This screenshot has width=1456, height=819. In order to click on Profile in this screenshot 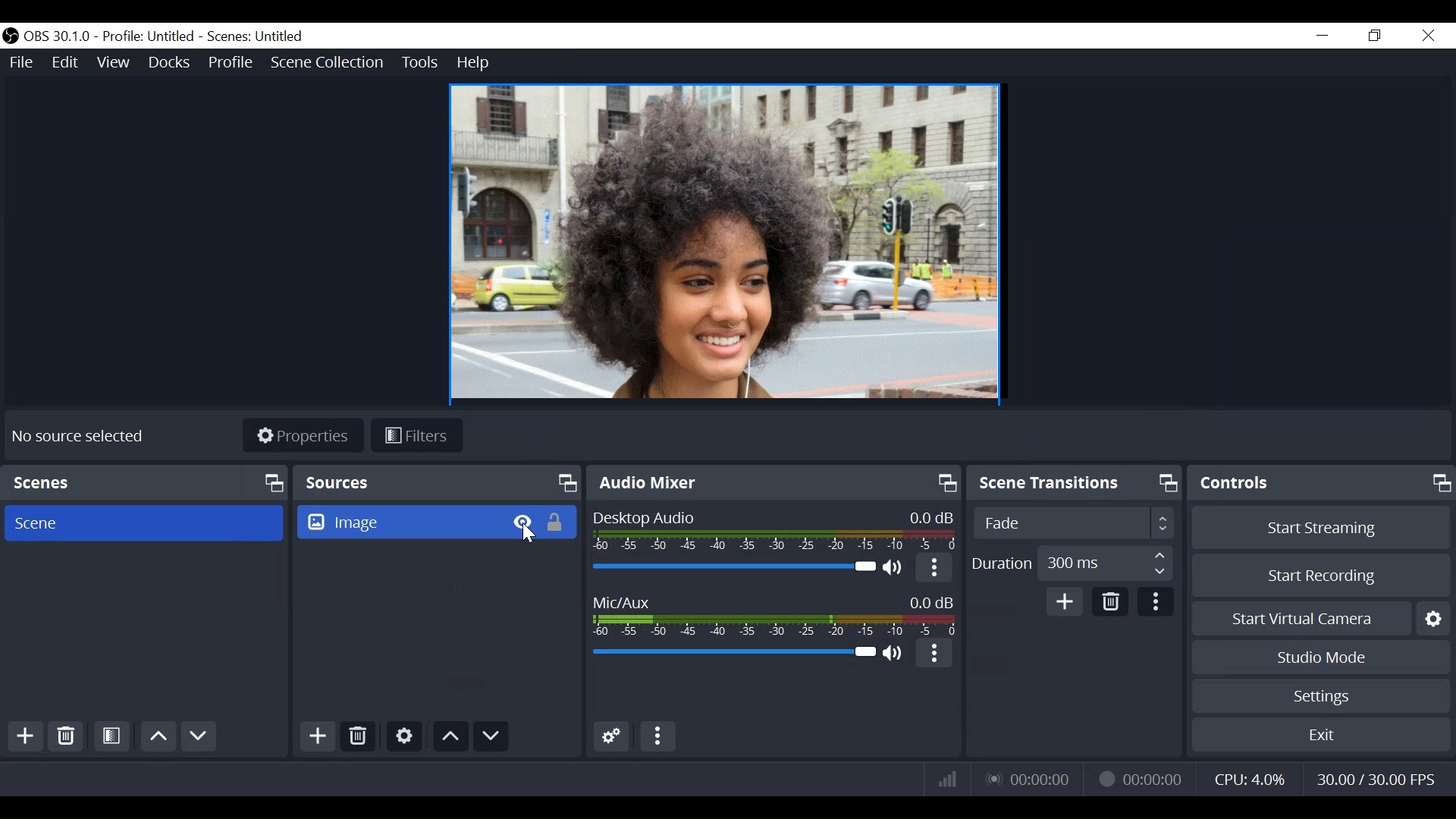, I will do `click(230, 61)`.